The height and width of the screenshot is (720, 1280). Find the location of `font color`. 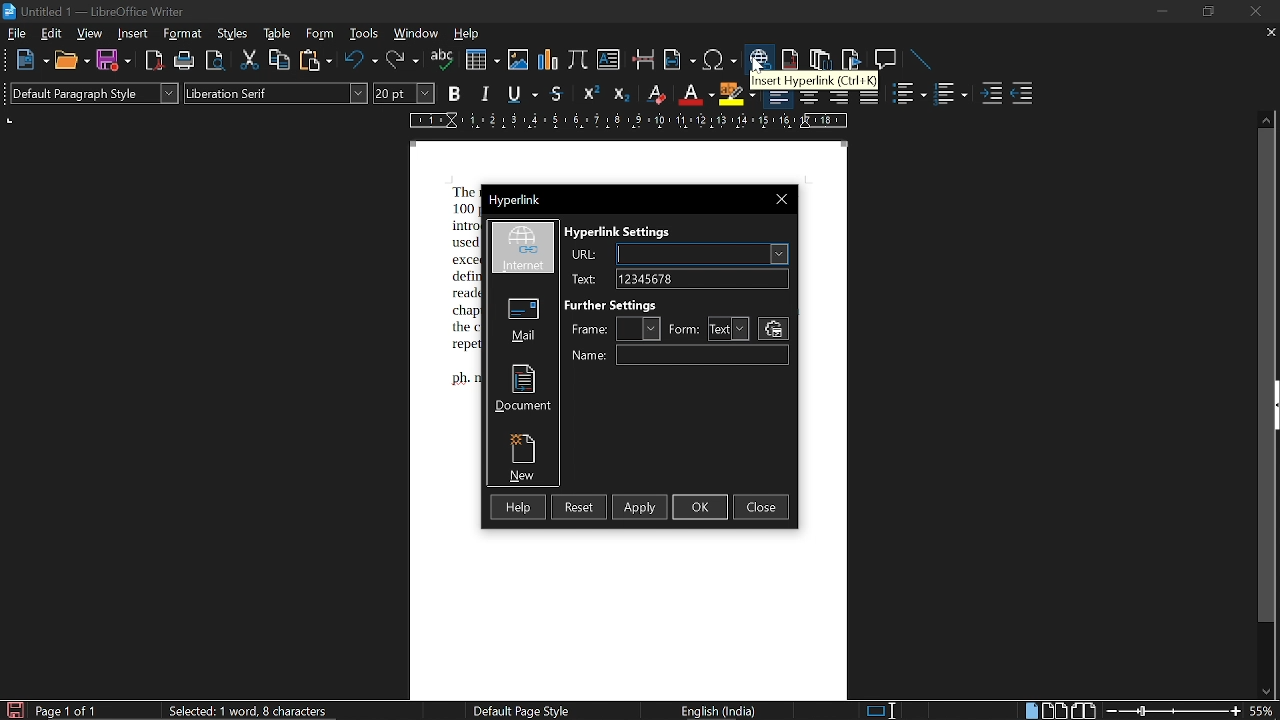

font color is located at coordinates (694, 95).